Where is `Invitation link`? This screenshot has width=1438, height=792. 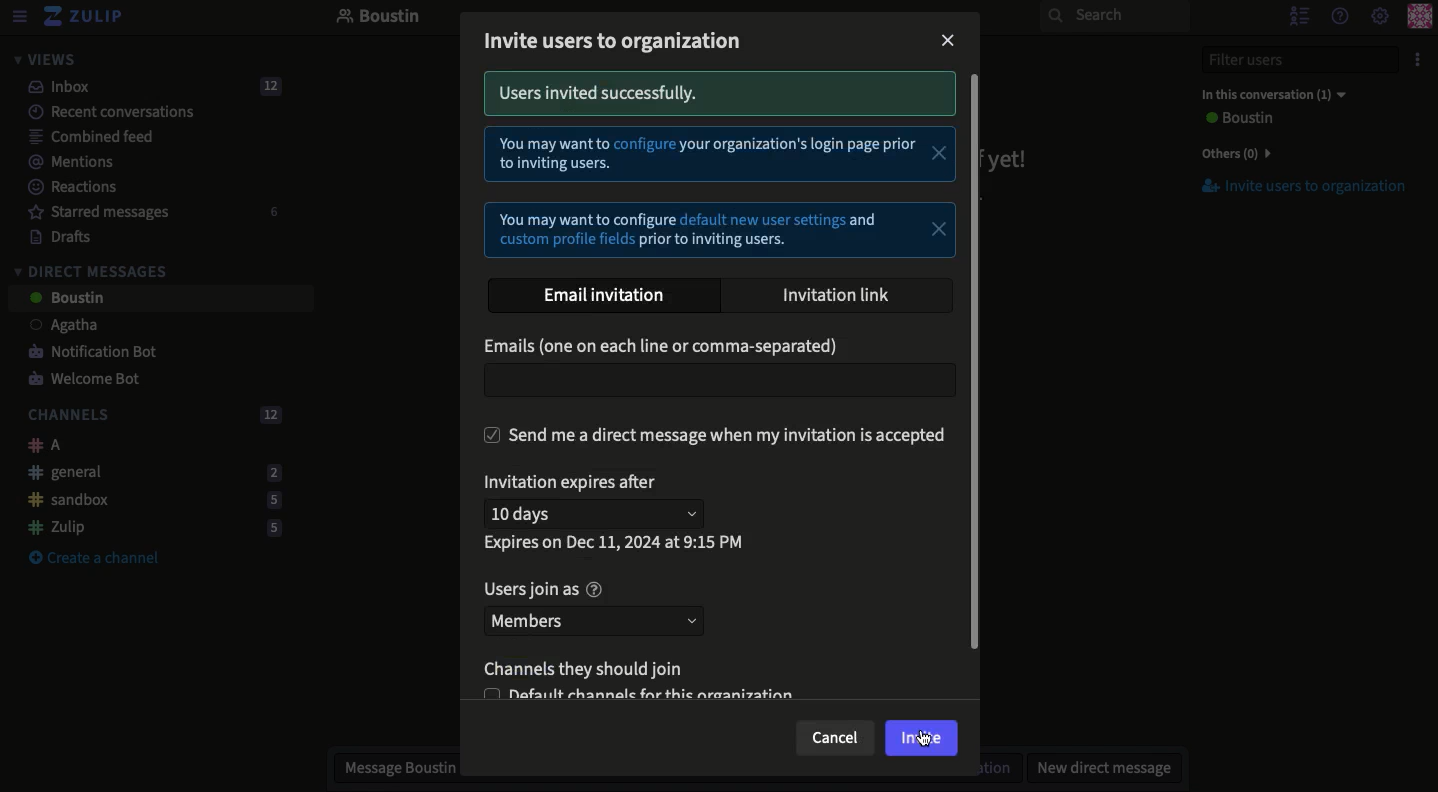
Invitation link is located at coordinates (845, 295).